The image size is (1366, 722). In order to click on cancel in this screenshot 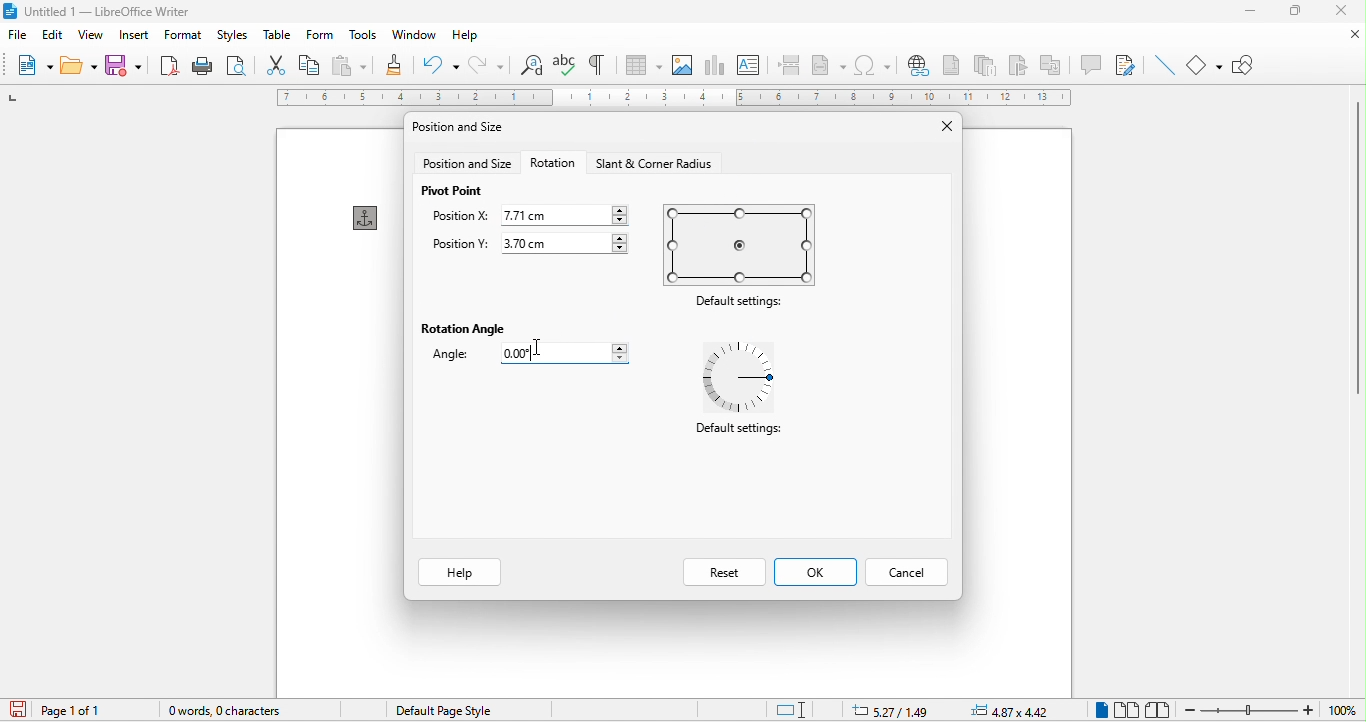, I will do `click(904, 572)`.